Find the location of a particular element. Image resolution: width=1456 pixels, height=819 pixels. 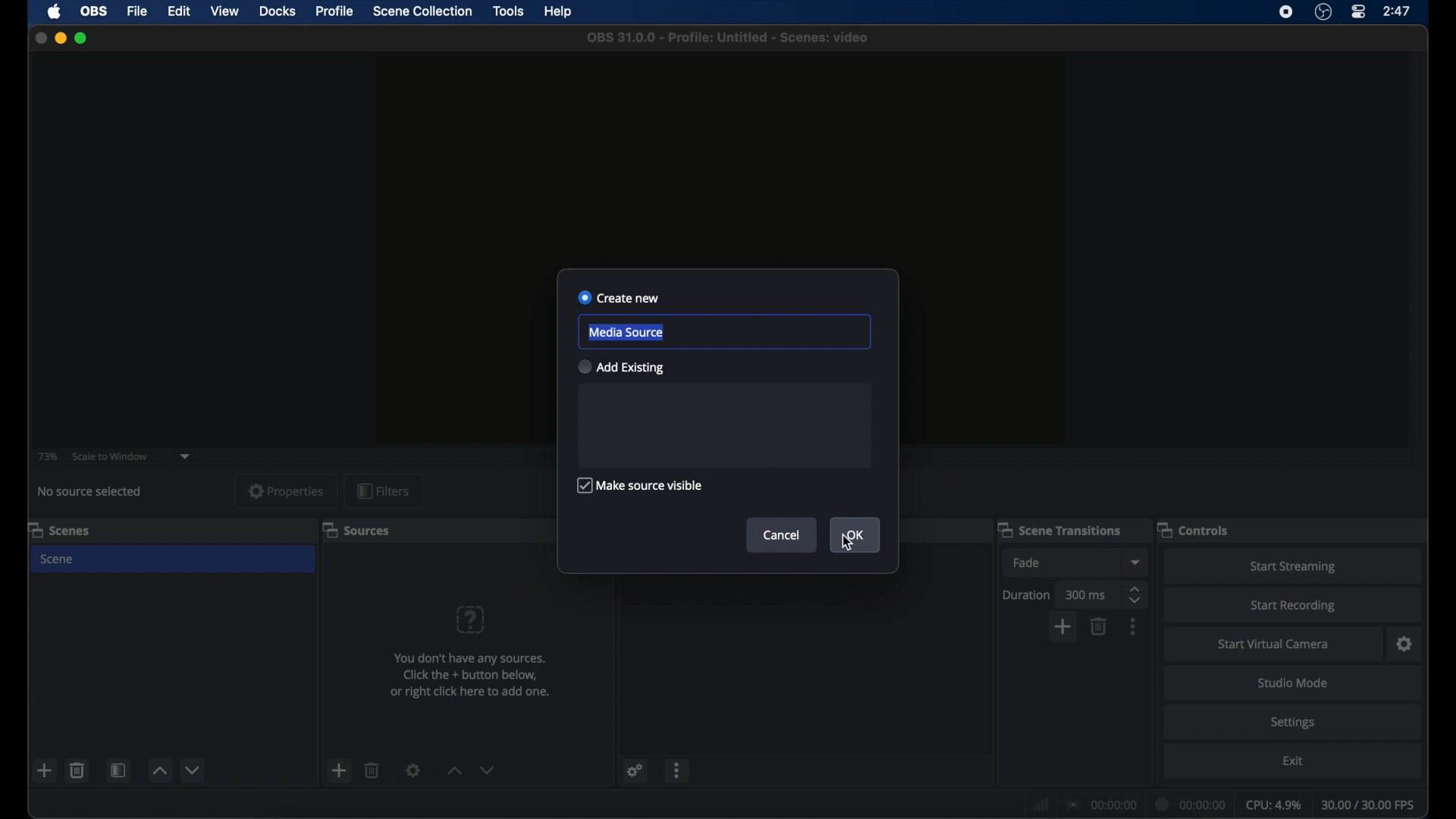

increment button is located at coordinates (159, 770).